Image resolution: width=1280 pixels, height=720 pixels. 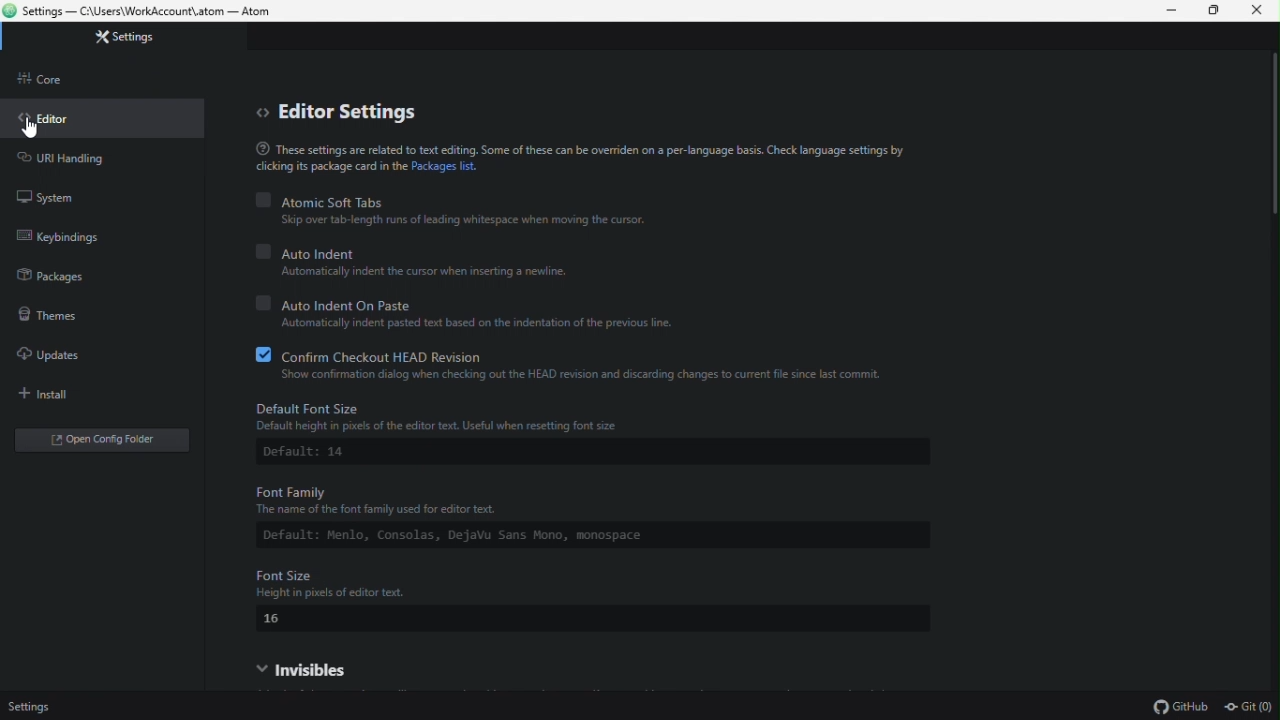 I want to click on auto indent, so click(x=415, y=251).